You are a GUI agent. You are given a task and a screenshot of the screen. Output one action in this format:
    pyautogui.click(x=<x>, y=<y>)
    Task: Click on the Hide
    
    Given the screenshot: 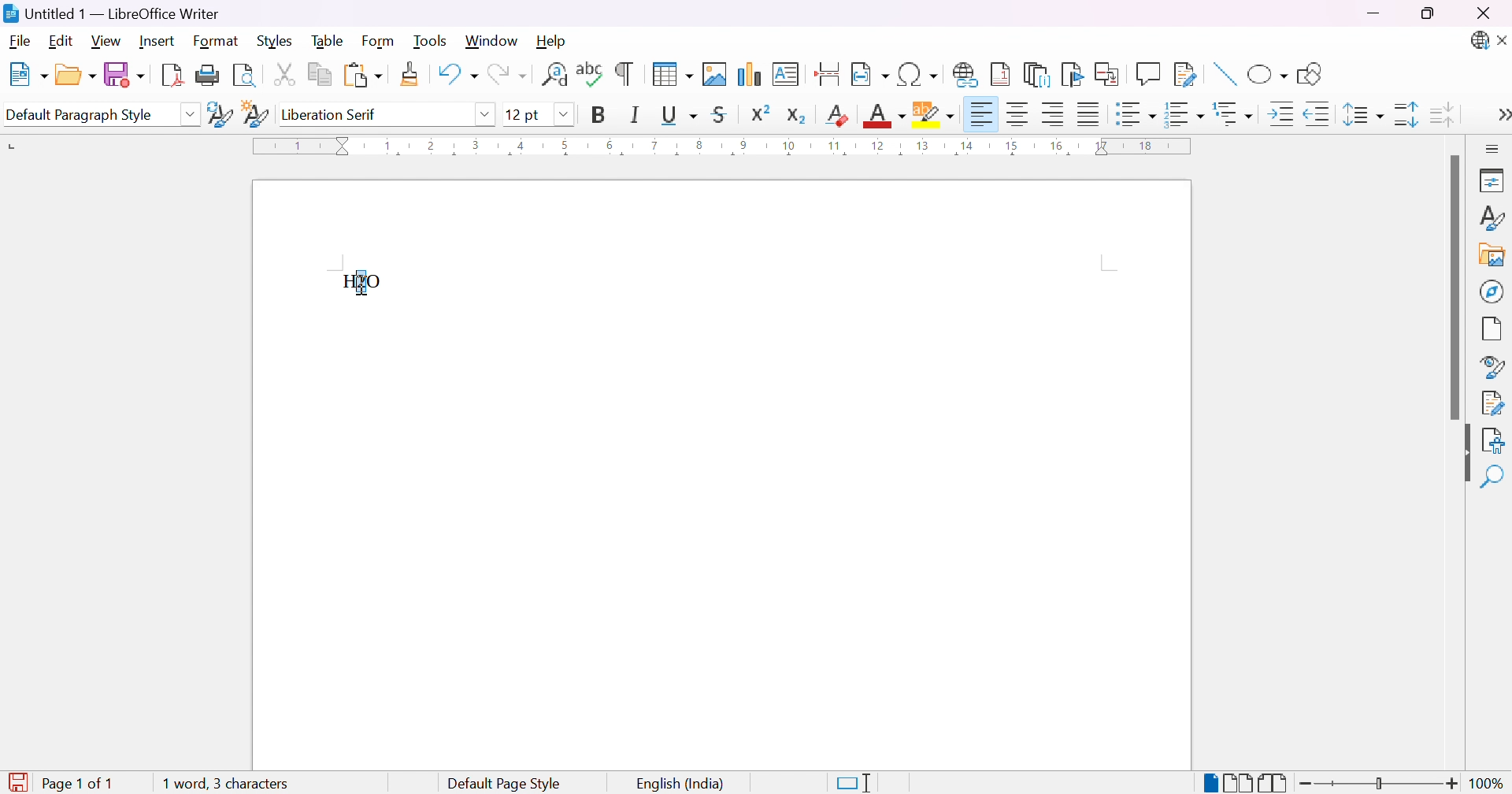 What is the action you would take?
    pyautogui.click(x=1460, y=455)
    